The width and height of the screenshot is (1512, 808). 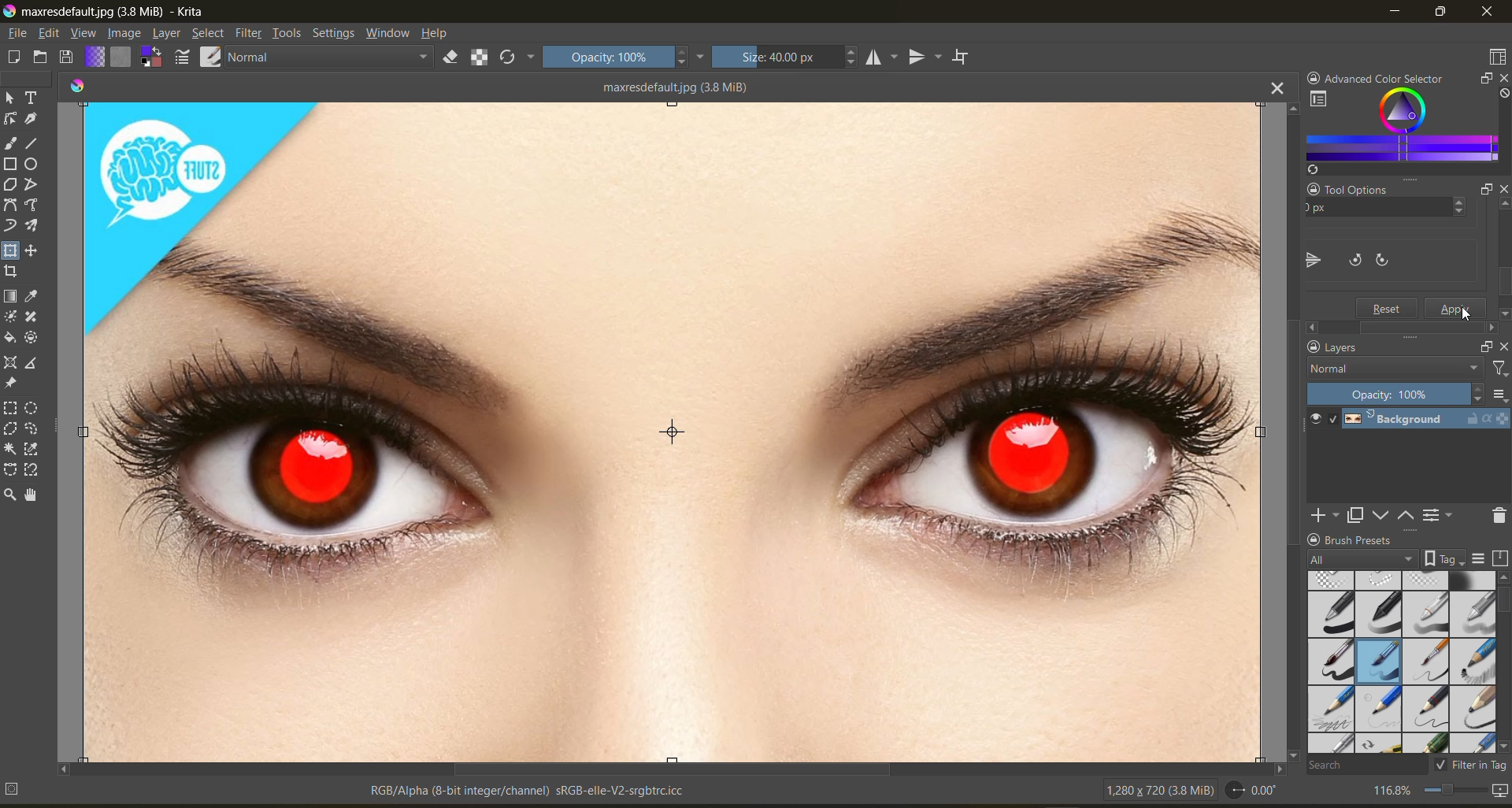 I want to click on close docker, so click(x=1501, y=77).